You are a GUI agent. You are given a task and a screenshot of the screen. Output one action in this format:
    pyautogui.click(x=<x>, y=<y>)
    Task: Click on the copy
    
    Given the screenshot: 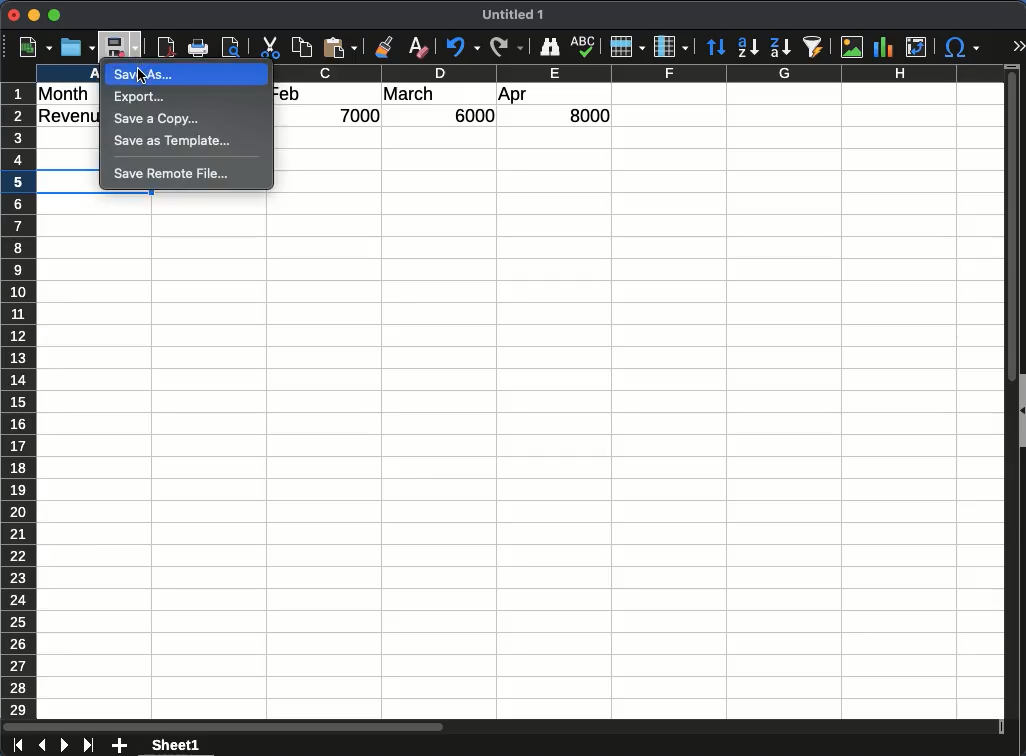 What is the action you would take?
    pyautogui.click(x=303, y=48)
    